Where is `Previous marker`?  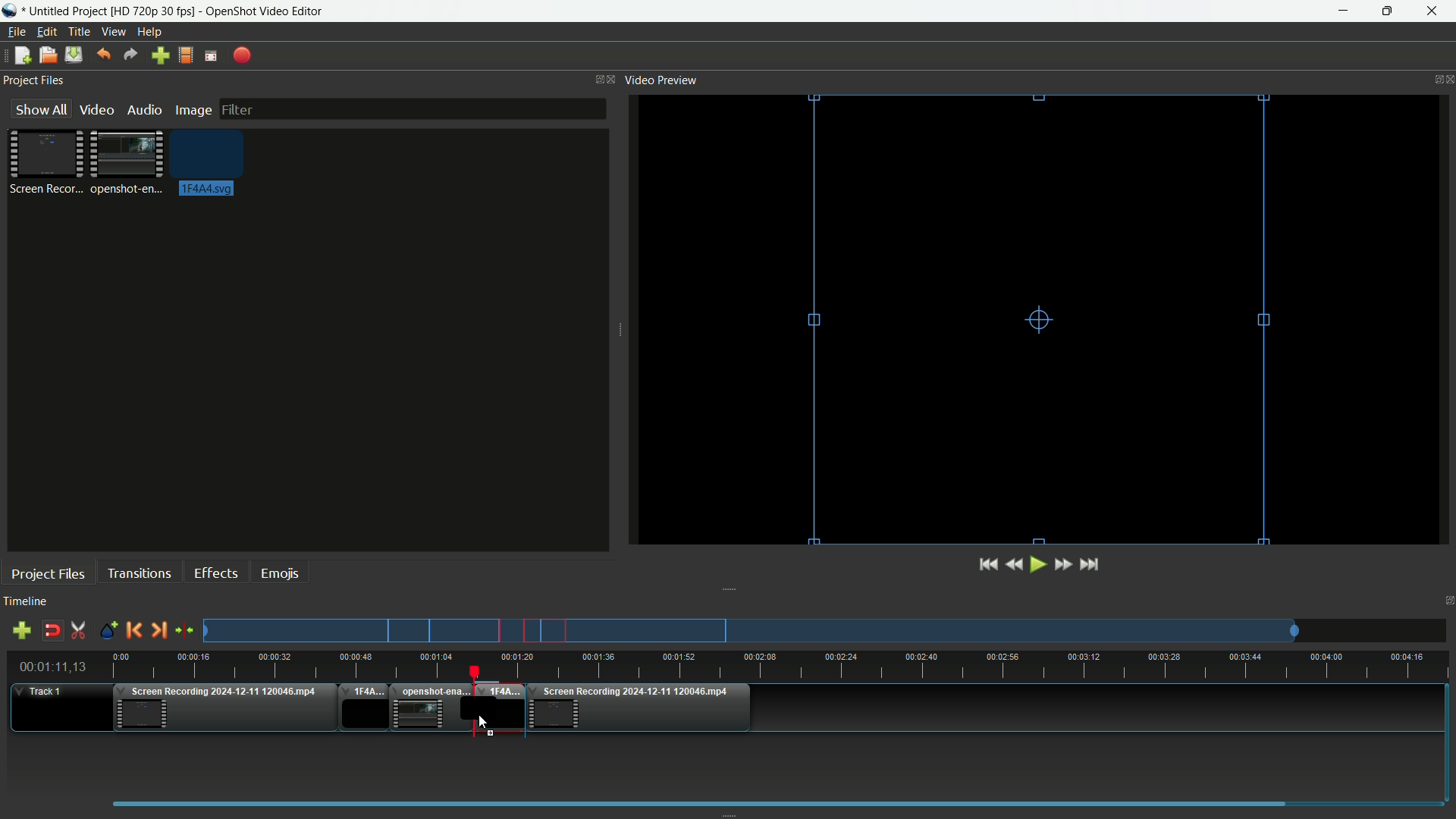
Previous marker is located at coordinates (133, 630).